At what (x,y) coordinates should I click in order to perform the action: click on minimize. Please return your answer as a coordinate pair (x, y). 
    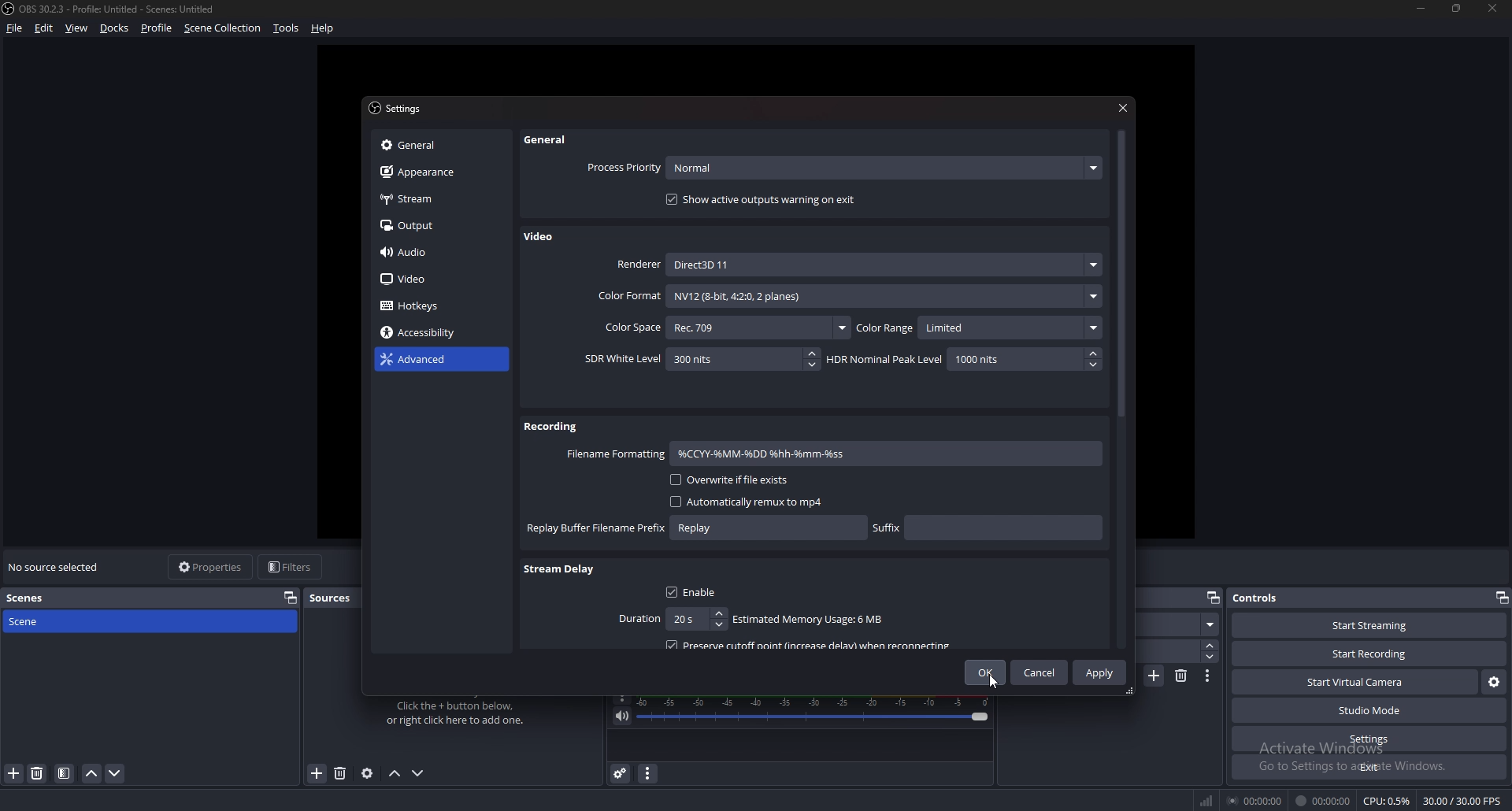
    Looking at the image, I should click on (1421, 7).